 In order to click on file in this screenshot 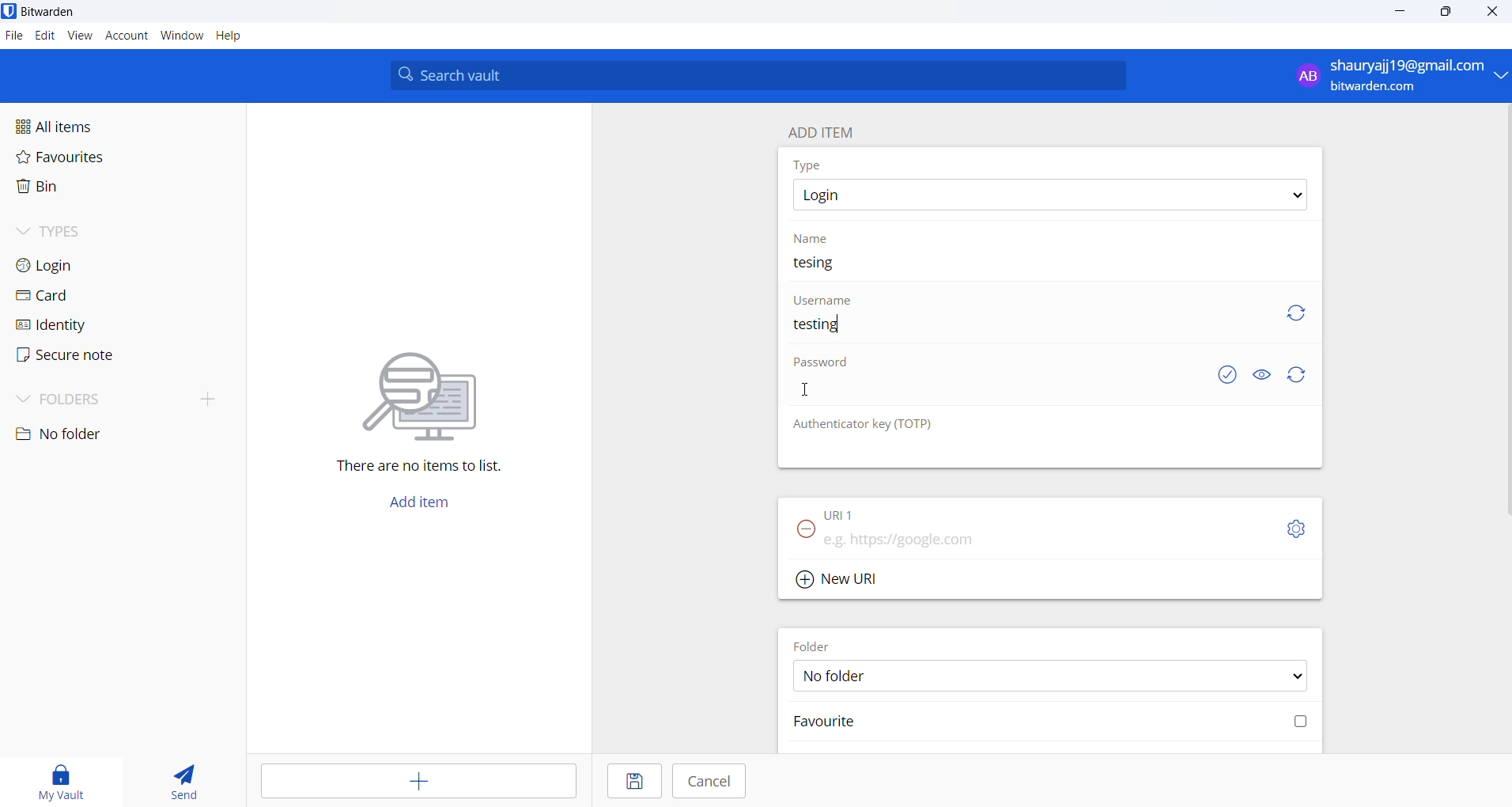, I will do `click(13, 36)`.